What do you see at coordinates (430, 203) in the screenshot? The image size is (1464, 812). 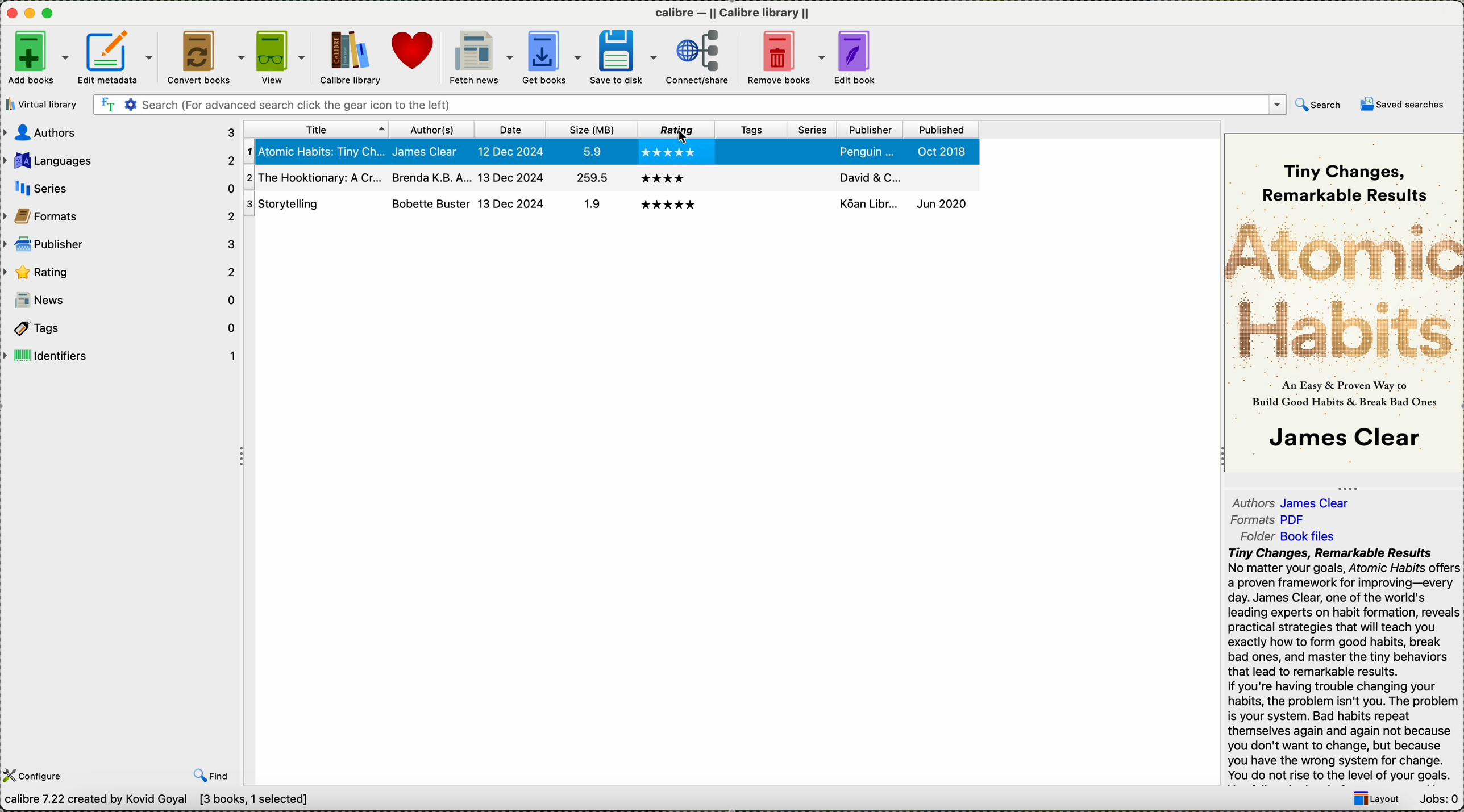 I see `bobette buster` at bounding box center [430, 203].